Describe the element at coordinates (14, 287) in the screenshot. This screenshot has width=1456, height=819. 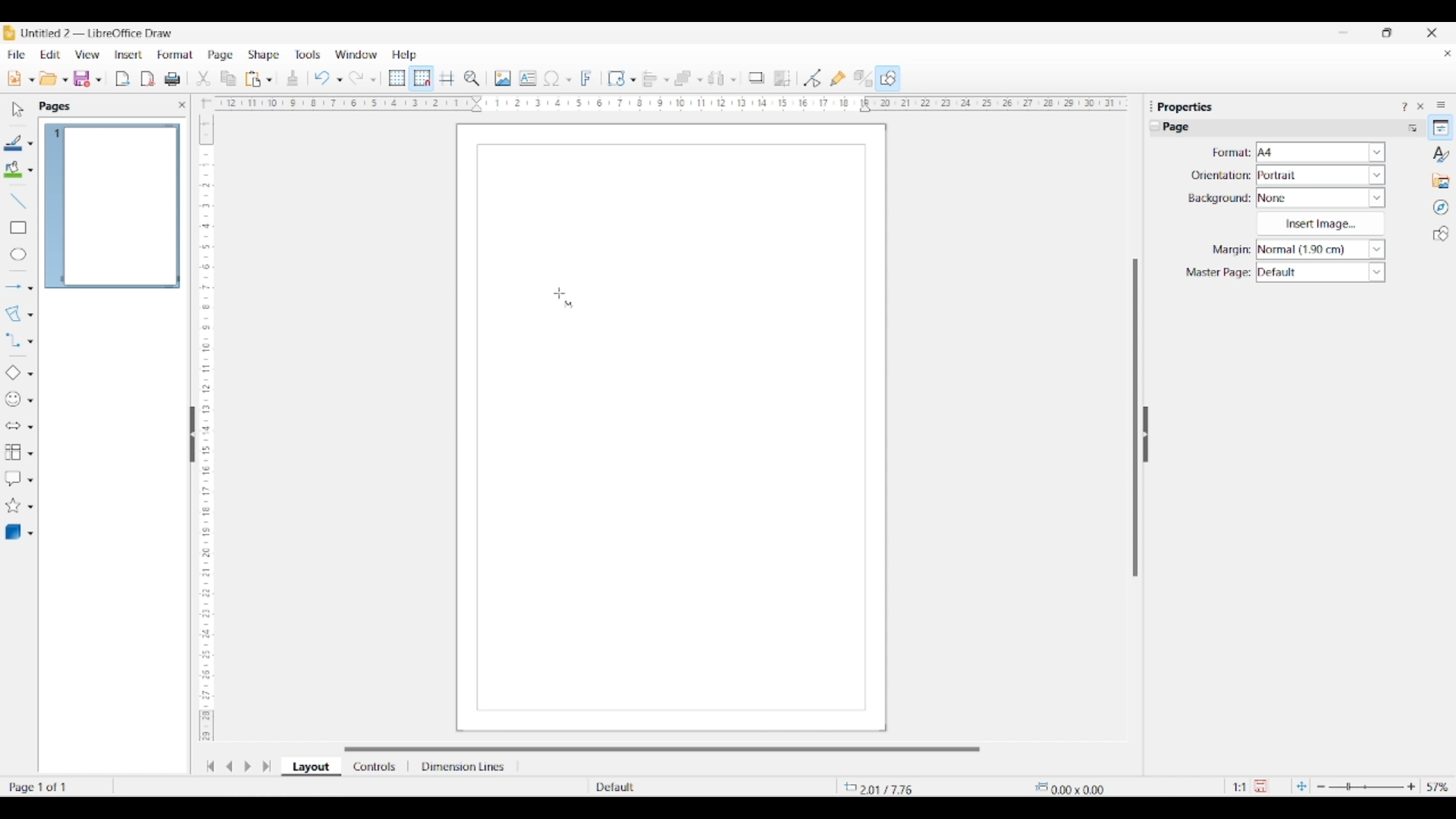
I see `Selected arrow` at that location.